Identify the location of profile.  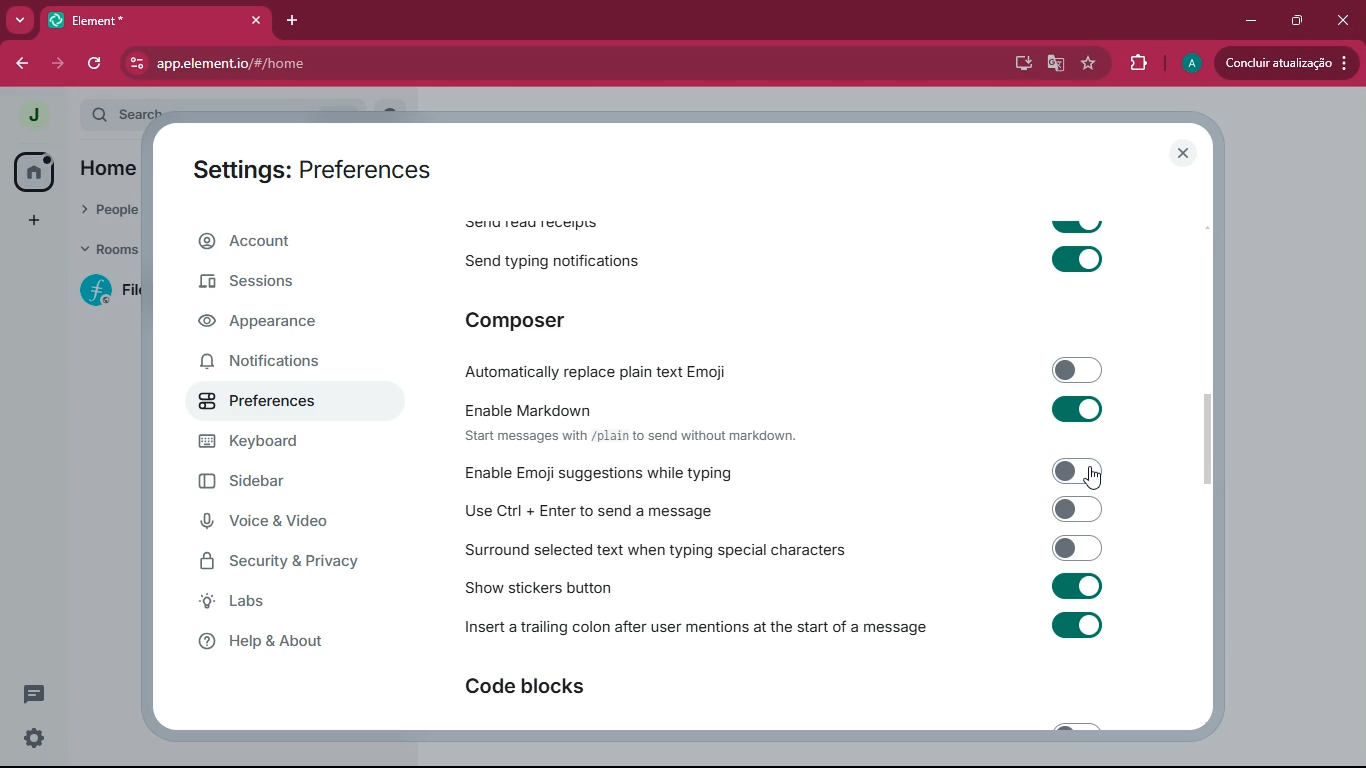
(1193, 63).